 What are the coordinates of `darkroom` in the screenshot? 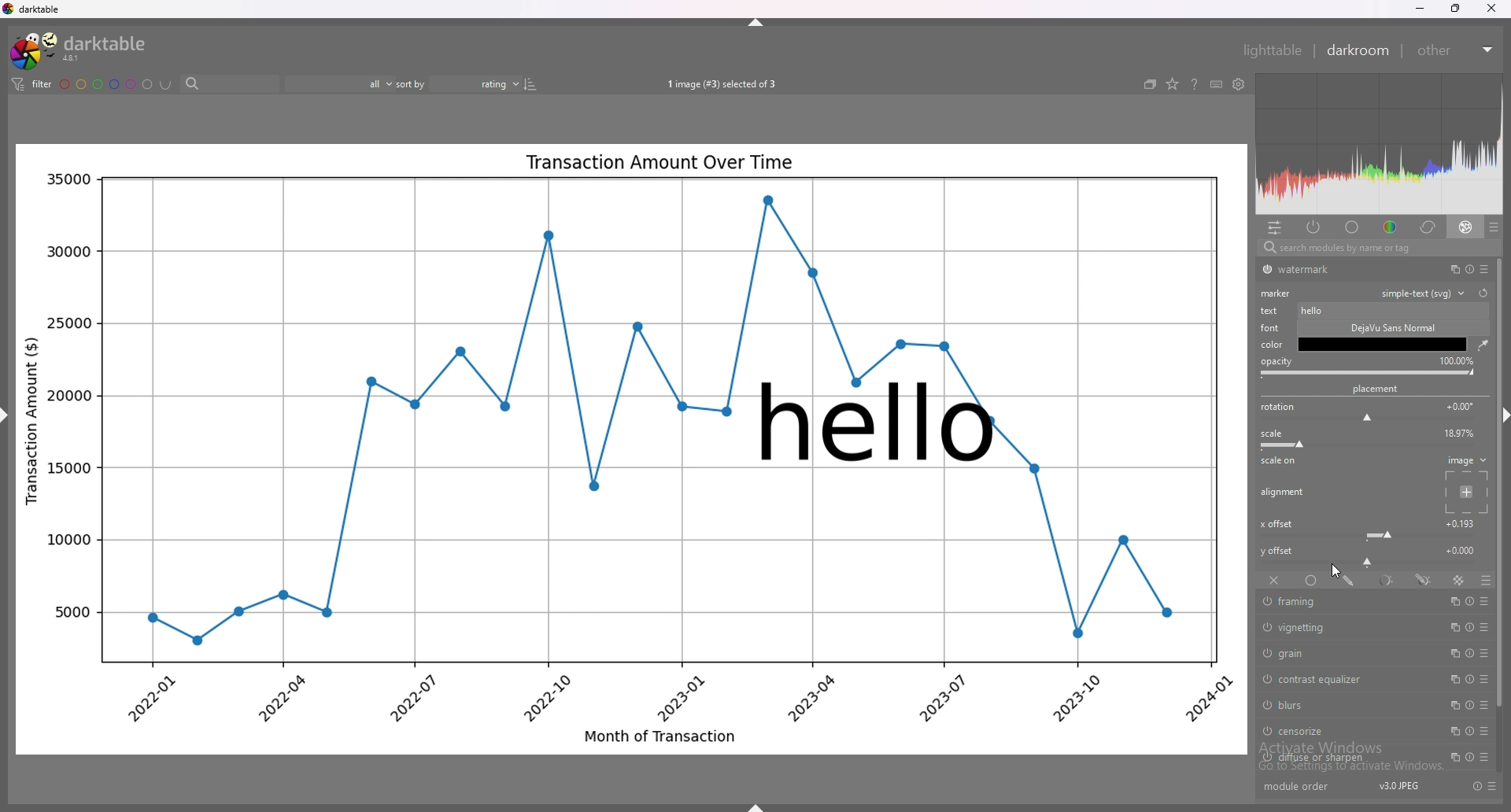 It's located at (1358, 50).